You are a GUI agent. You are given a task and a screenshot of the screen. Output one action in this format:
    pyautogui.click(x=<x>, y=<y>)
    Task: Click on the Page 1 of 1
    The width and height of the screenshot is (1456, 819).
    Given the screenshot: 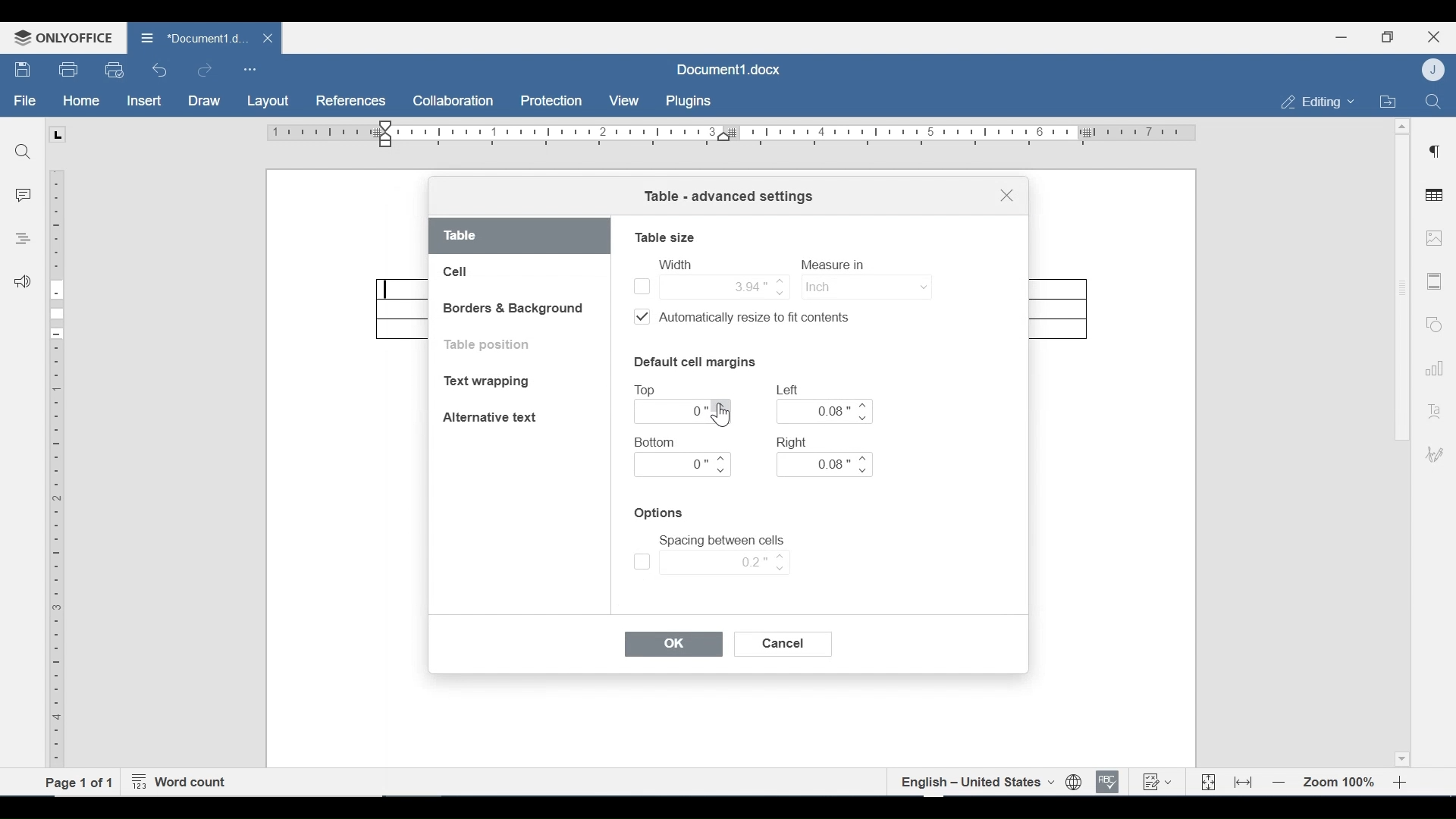 What is the action you would take?
    pyautogui.click(x=80, y=782)
    